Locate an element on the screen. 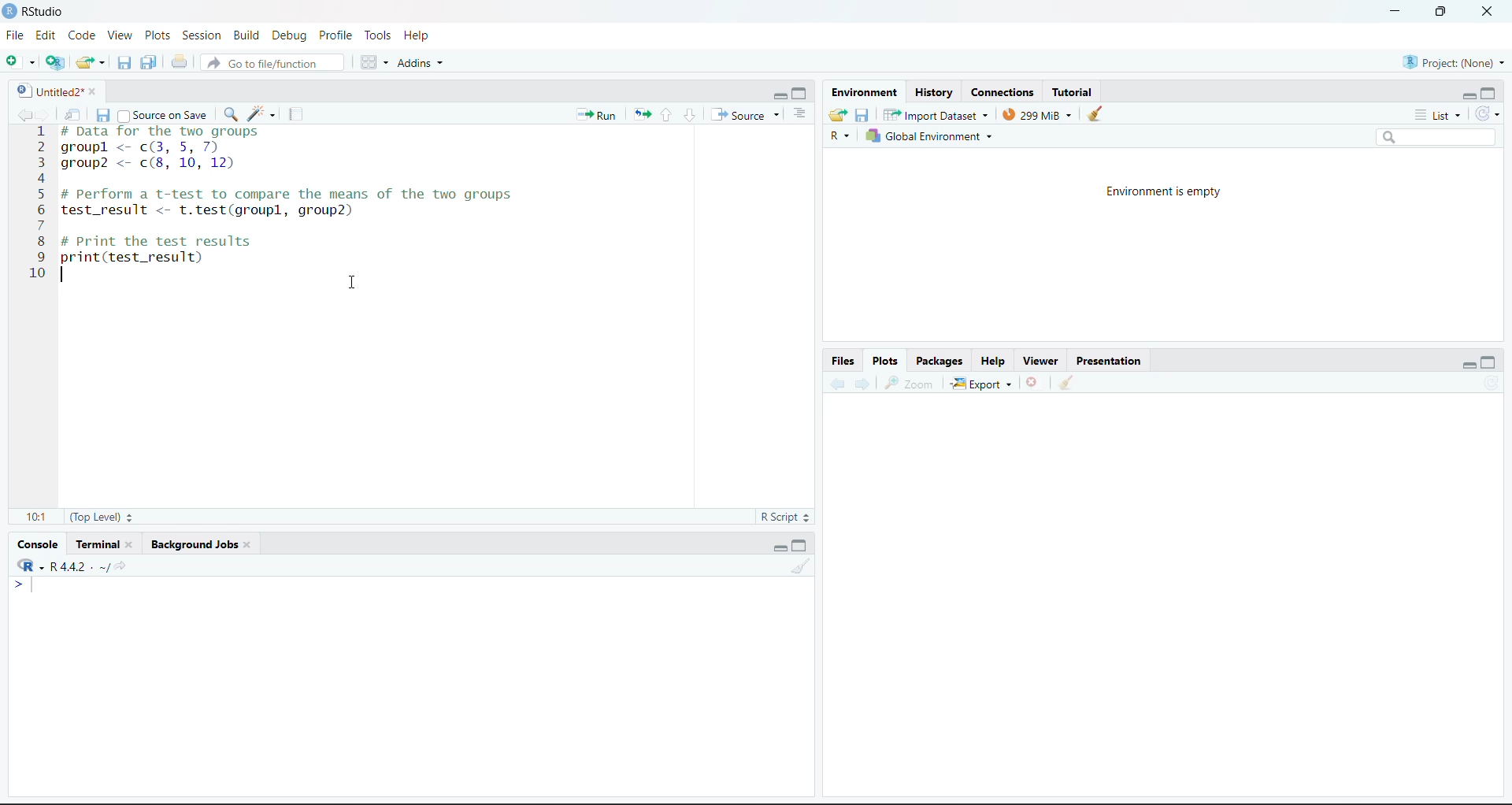 This screenshot has height=805, width=1512. line number is located at coordinates (41, 203).